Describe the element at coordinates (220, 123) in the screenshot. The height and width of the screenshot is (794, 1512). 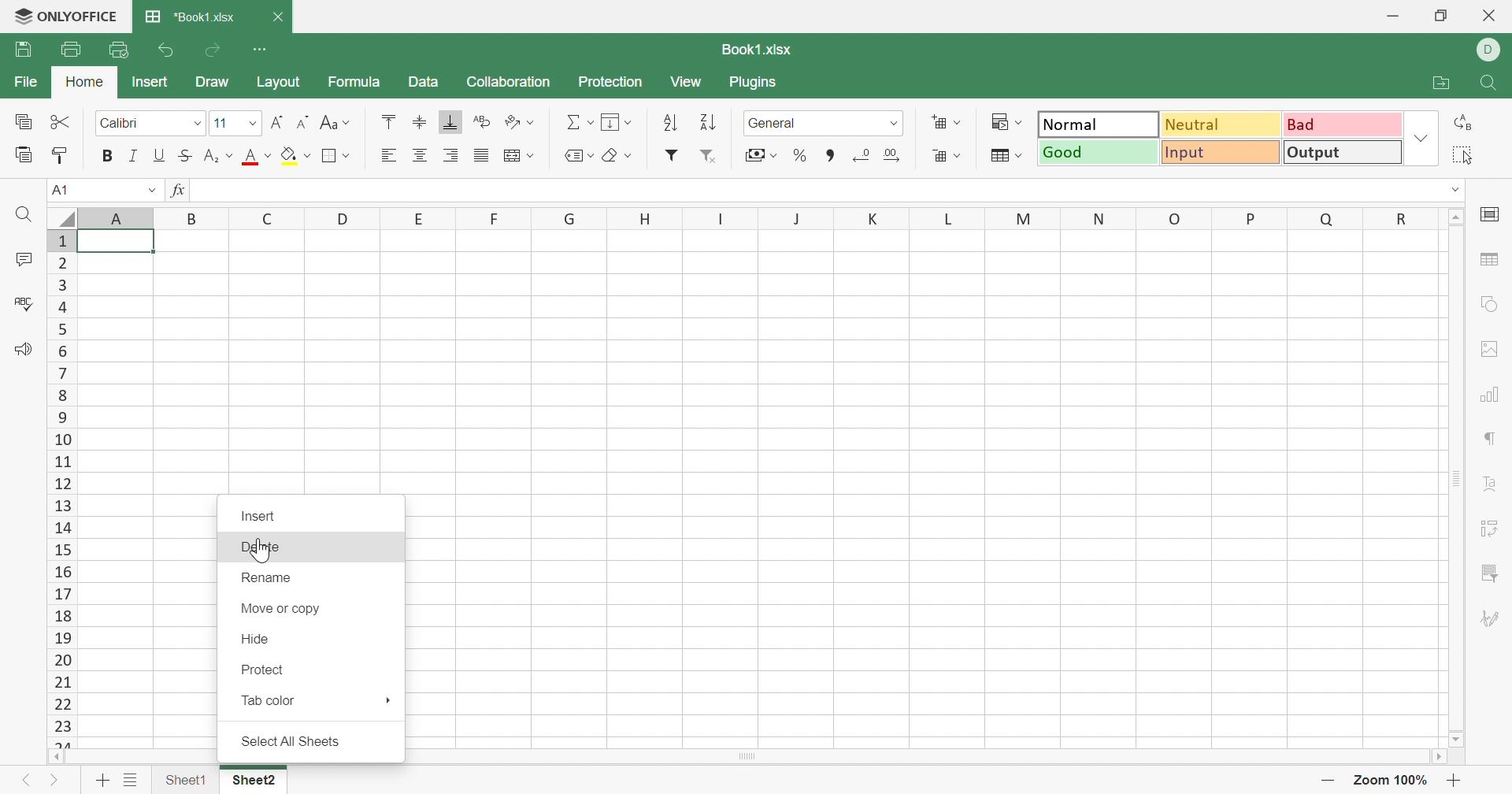
I see `11` at that location.